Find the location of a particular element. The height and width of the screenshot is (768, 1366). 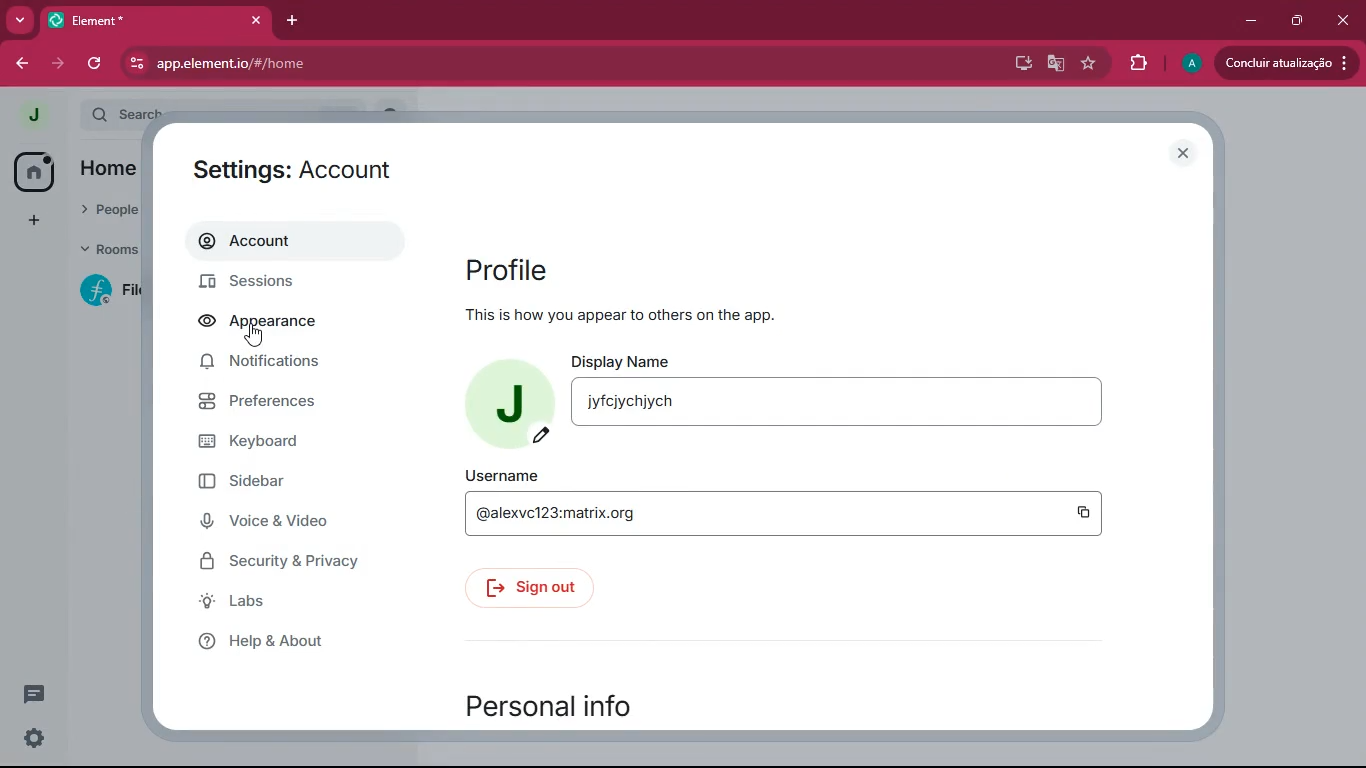

profile is located at coordinates (502, 399).